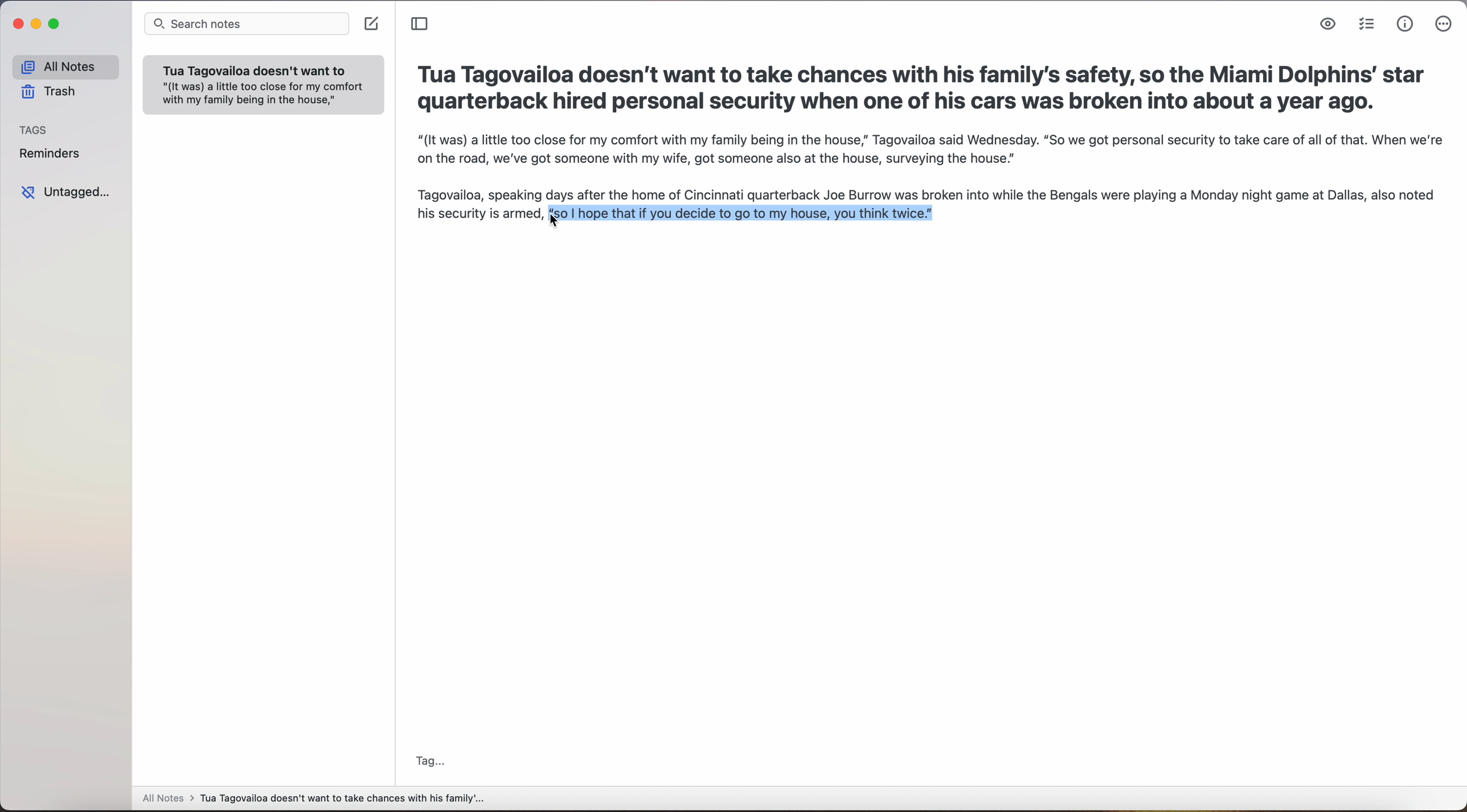 This screenshot has width=1467, height=812. I want to click on minimize, so click(38, 28).